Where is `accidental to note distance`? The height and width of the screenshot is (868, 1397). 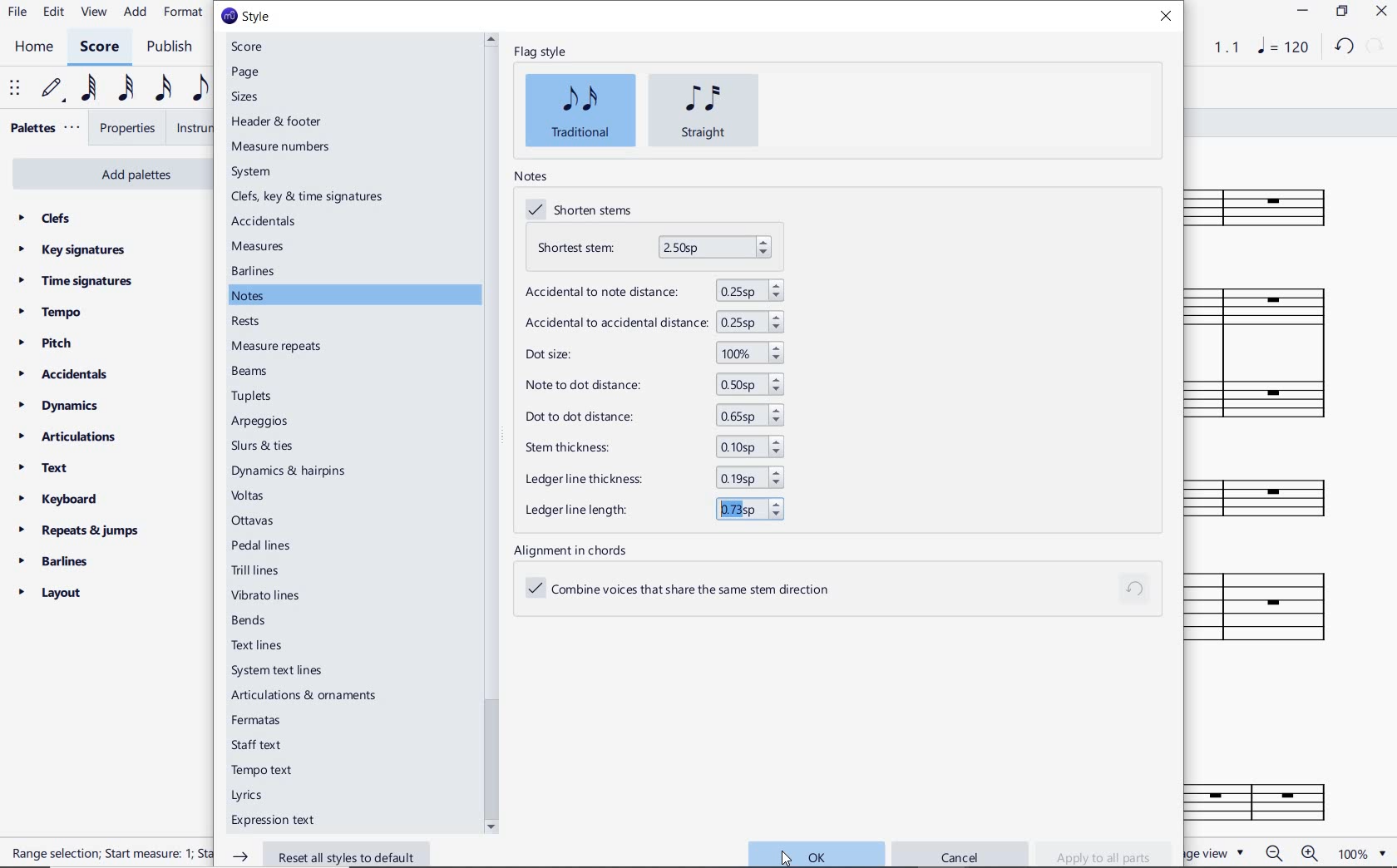
accidental to note distance is located at coordinates (650, 289).